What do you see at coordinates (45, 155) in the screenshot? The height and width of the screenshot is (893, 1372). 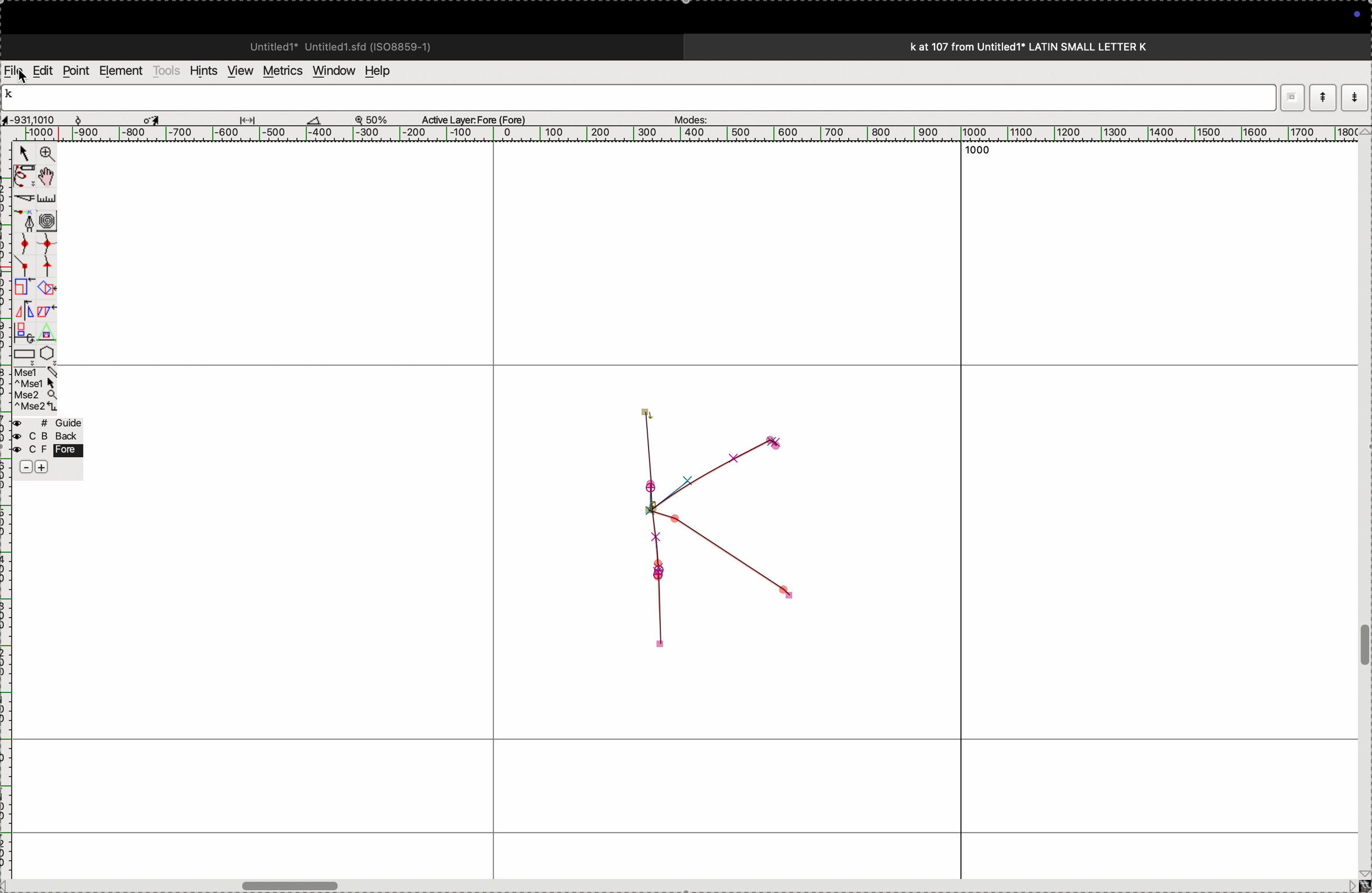 I see `zoom` at bounding box center [45, 155].